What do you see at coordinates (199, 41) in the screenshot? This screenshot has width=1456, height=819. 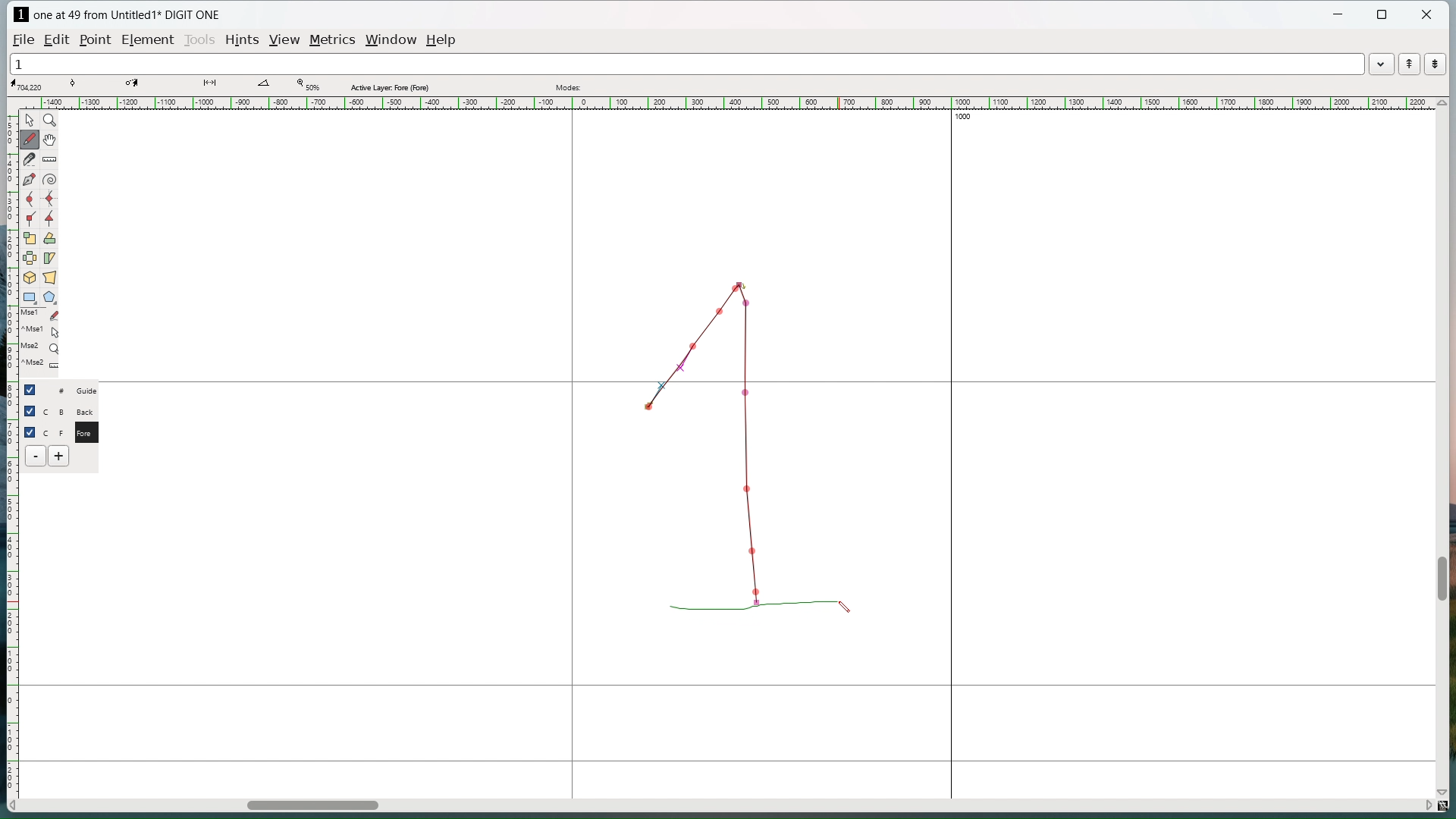 I see `tools` at bounding box center [199, 41].